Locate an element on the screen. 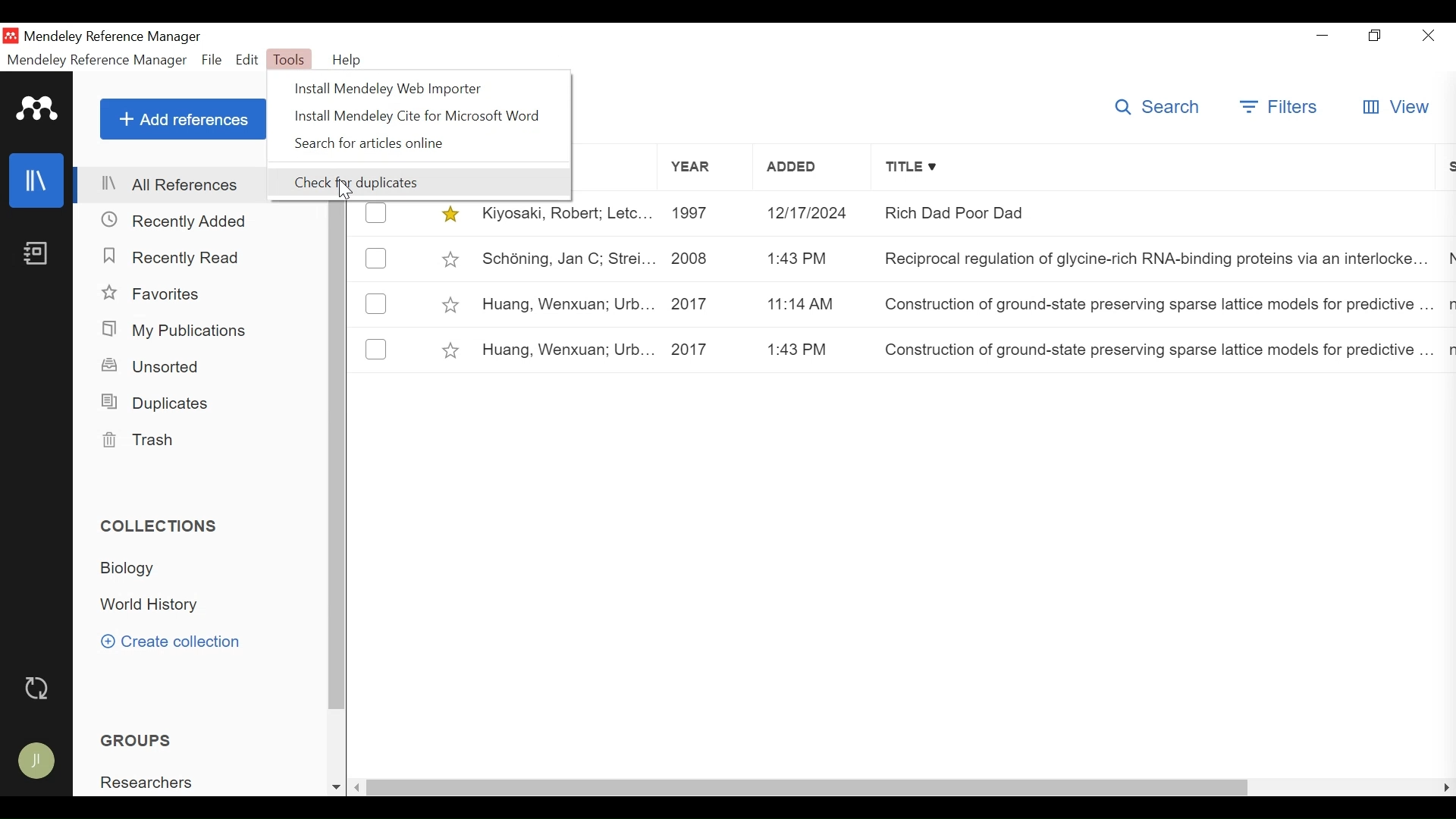 This screenshot has width=1456, height=819. Kiyosaki, Robert is located at coordinates (570, 214).